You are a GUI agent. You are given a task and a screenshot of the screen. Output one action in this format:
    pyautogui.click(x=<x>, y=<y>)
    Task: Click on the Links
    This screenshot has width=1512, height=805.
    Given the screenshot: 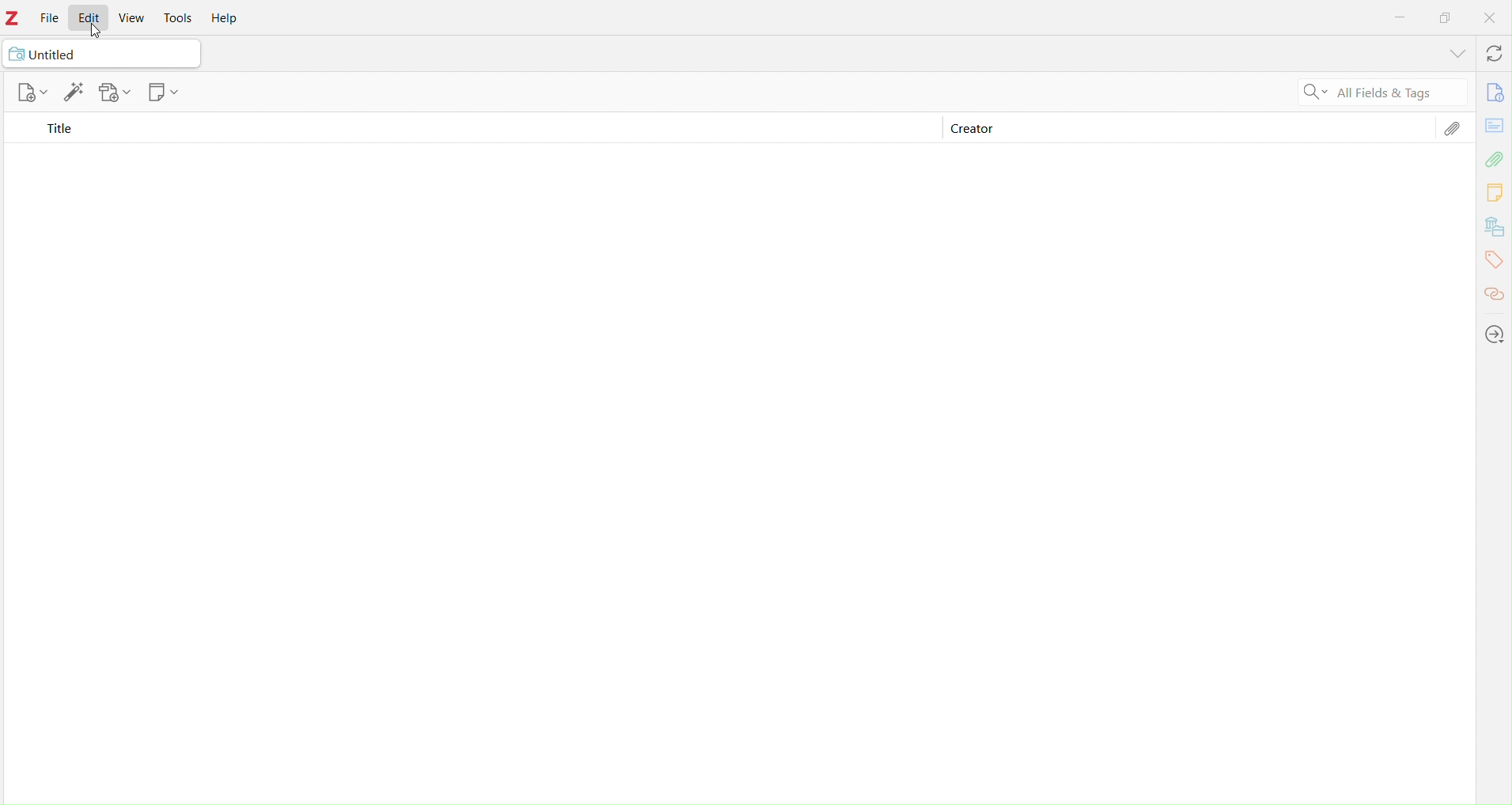 What is the action you would take?
    pyautogui.click(x=1495, y=289)
    